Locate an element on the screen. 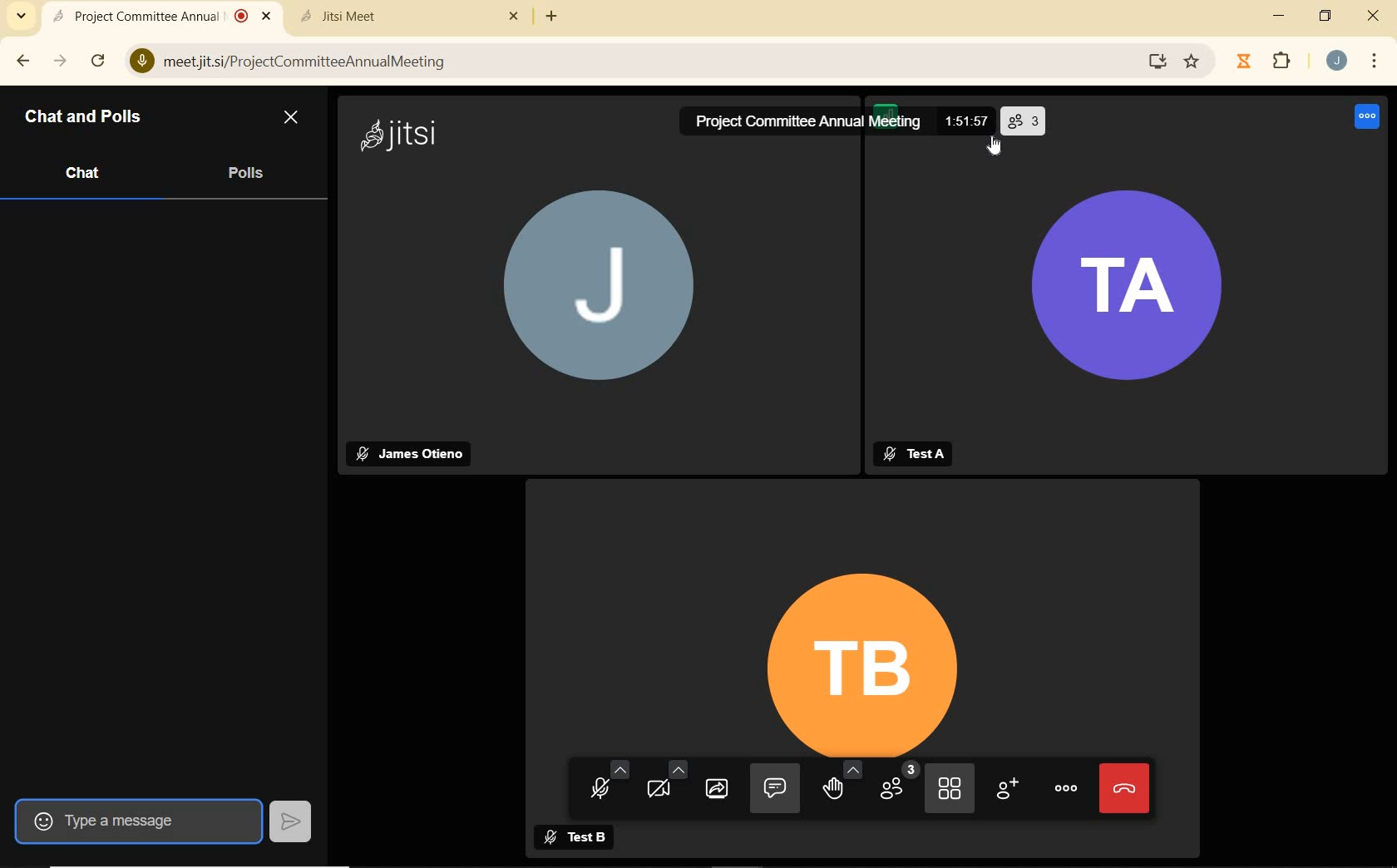   is located at coordinates (405, 136).